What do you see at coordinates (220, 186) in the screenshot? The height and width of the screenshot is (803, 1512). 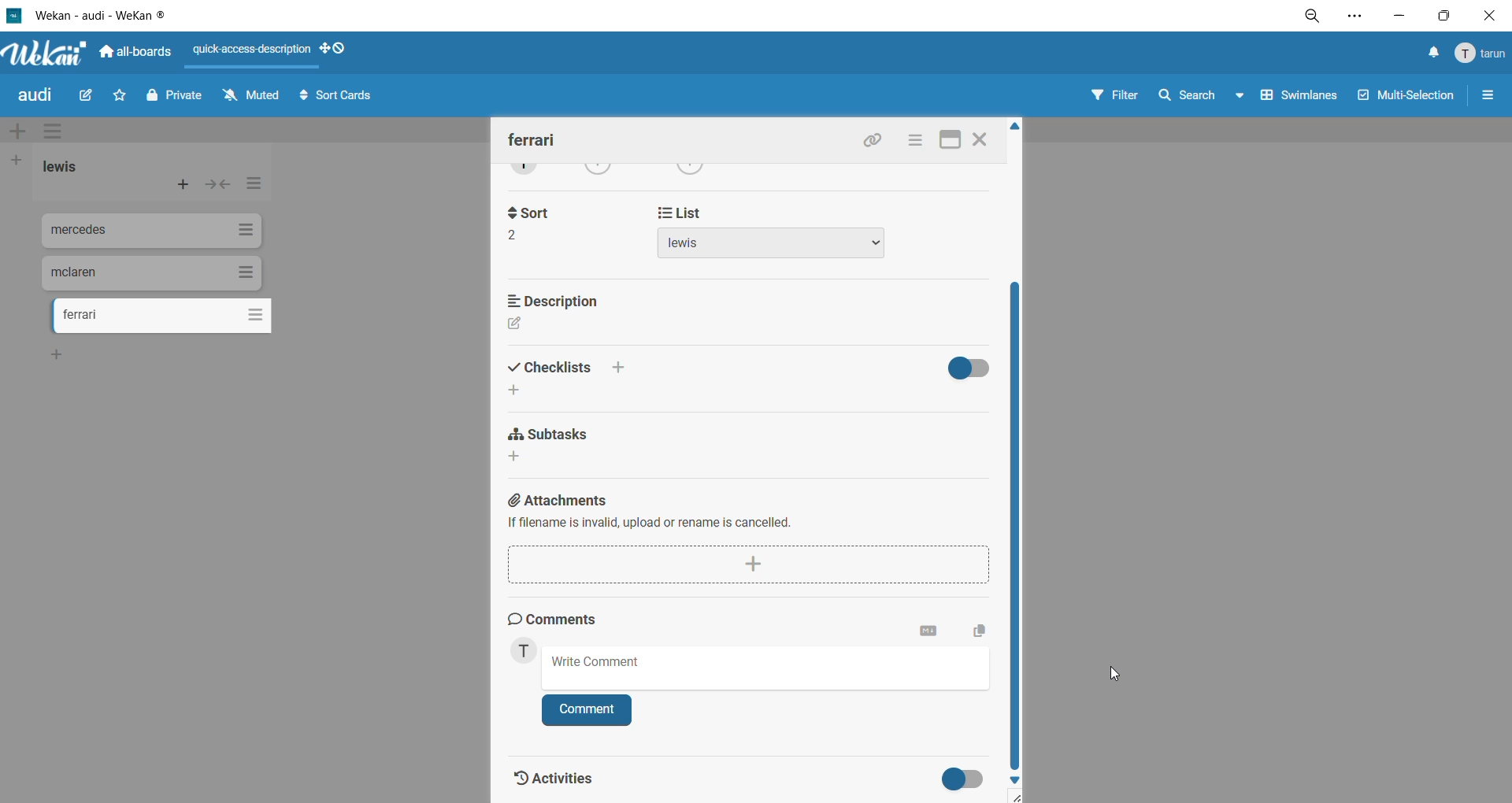 I see `collapse` at bounding box center [220, 186].